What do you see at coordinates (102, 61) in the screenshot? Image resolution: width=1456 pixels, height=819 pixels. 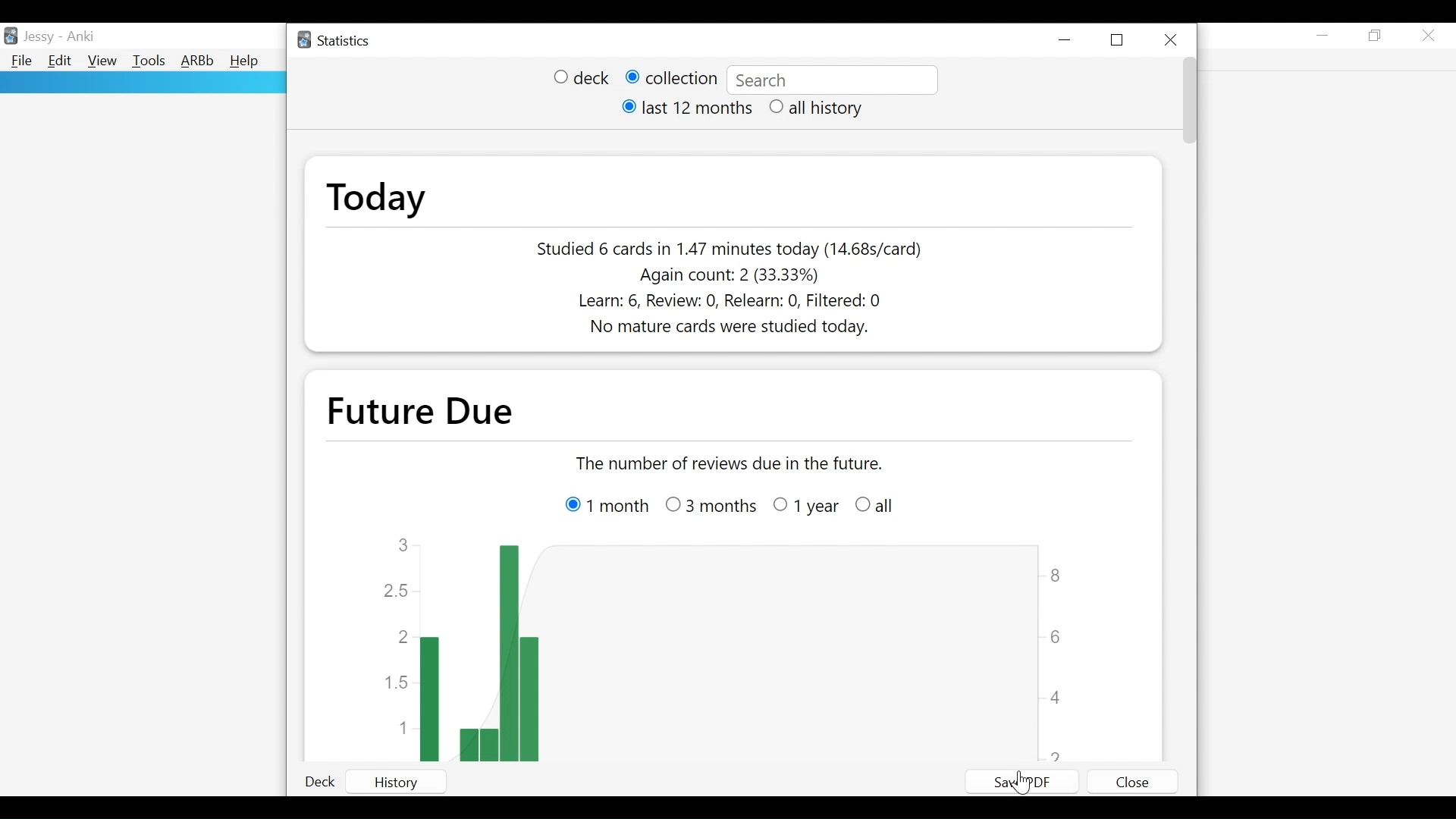 I see `View` at bounding box center [102, 61].